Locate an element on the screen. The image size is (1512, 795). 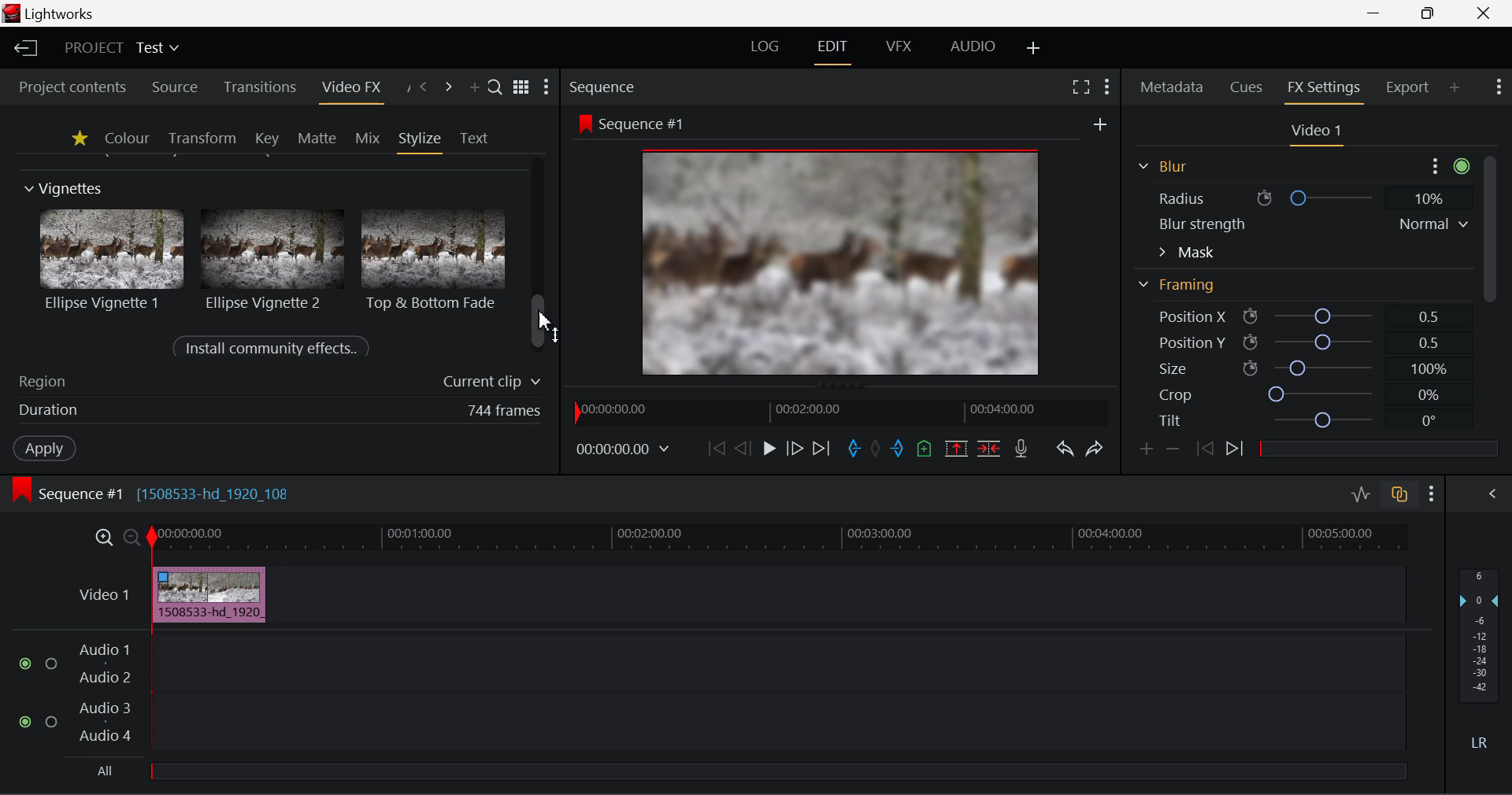
Remove all marks is located at coordinates (876, 446).